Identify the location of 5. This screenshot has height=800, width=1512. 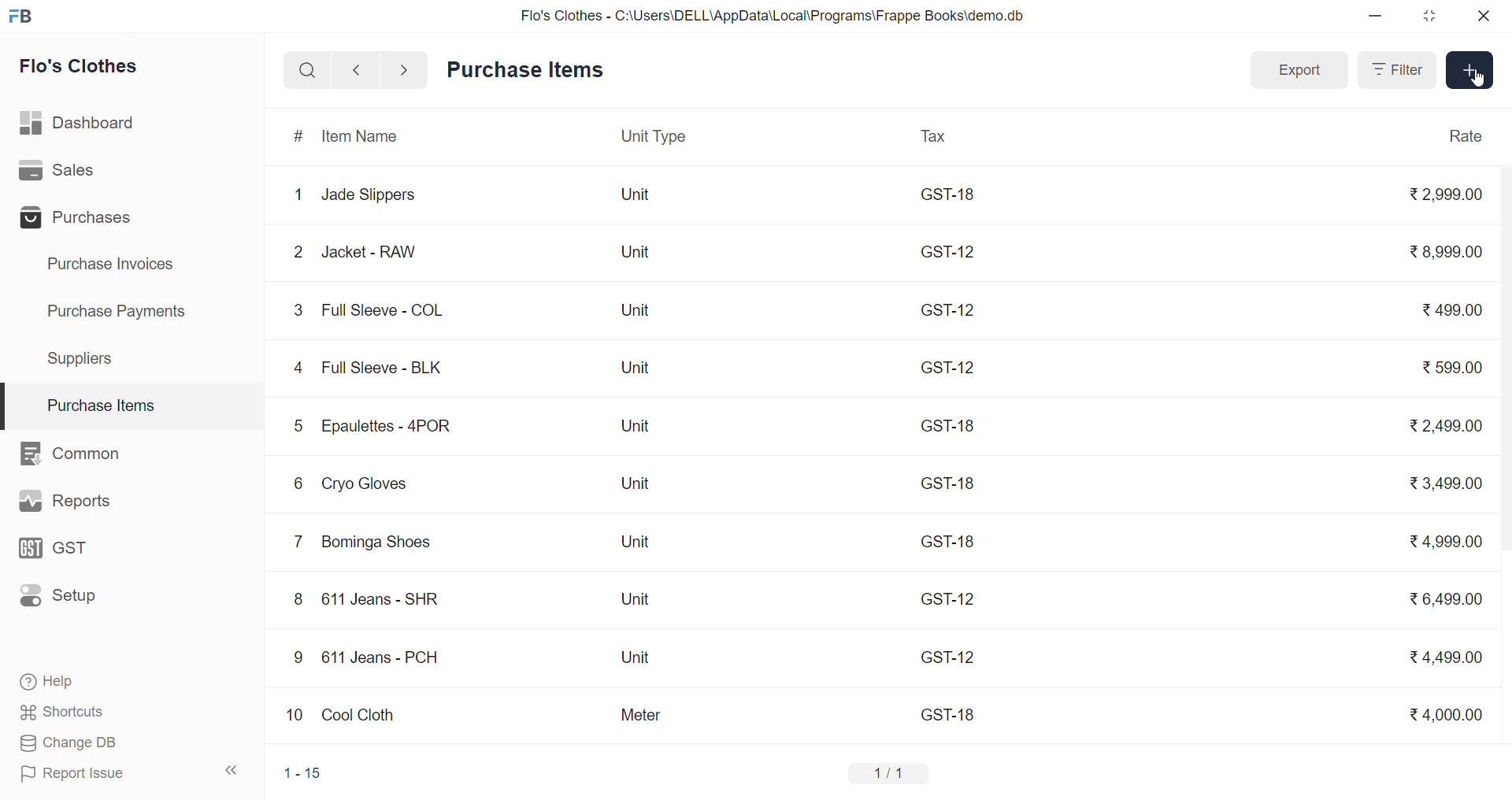
(298, 424).